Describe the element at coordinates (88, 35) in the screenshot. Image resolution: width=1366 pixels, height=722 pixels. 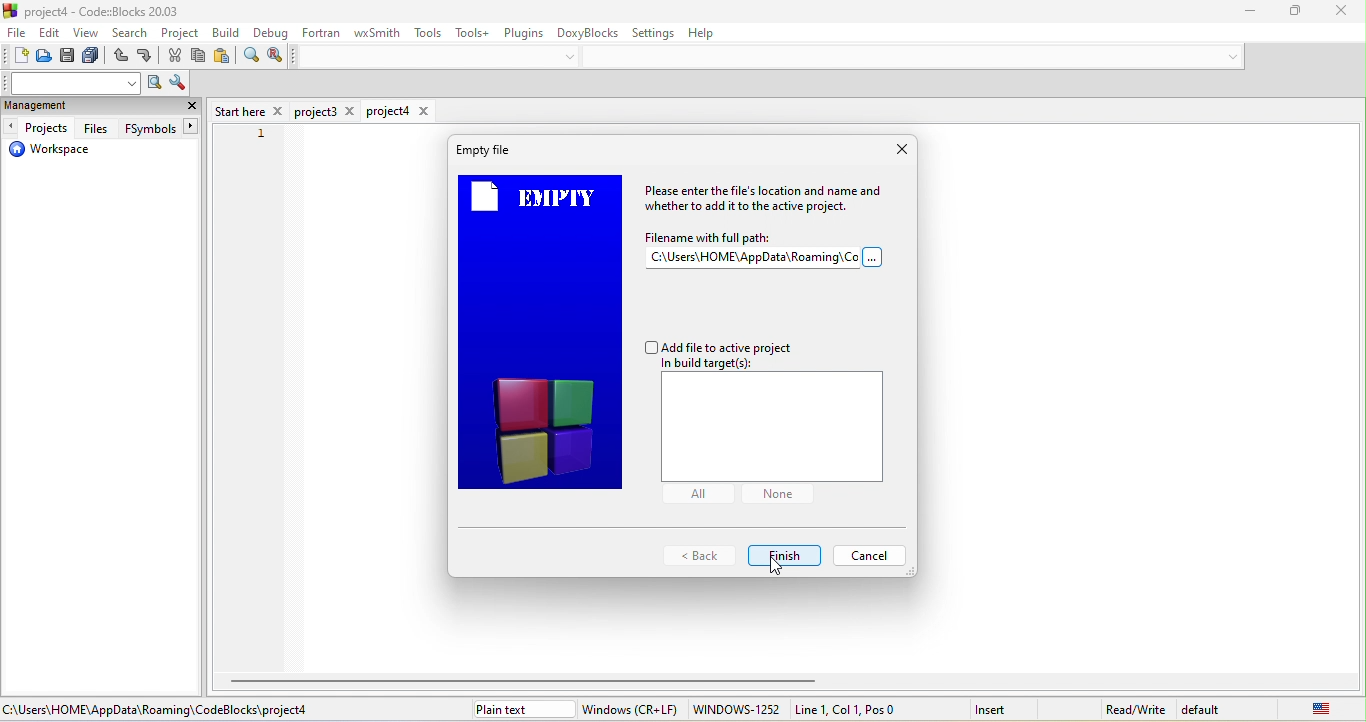
I see `view` at that location.